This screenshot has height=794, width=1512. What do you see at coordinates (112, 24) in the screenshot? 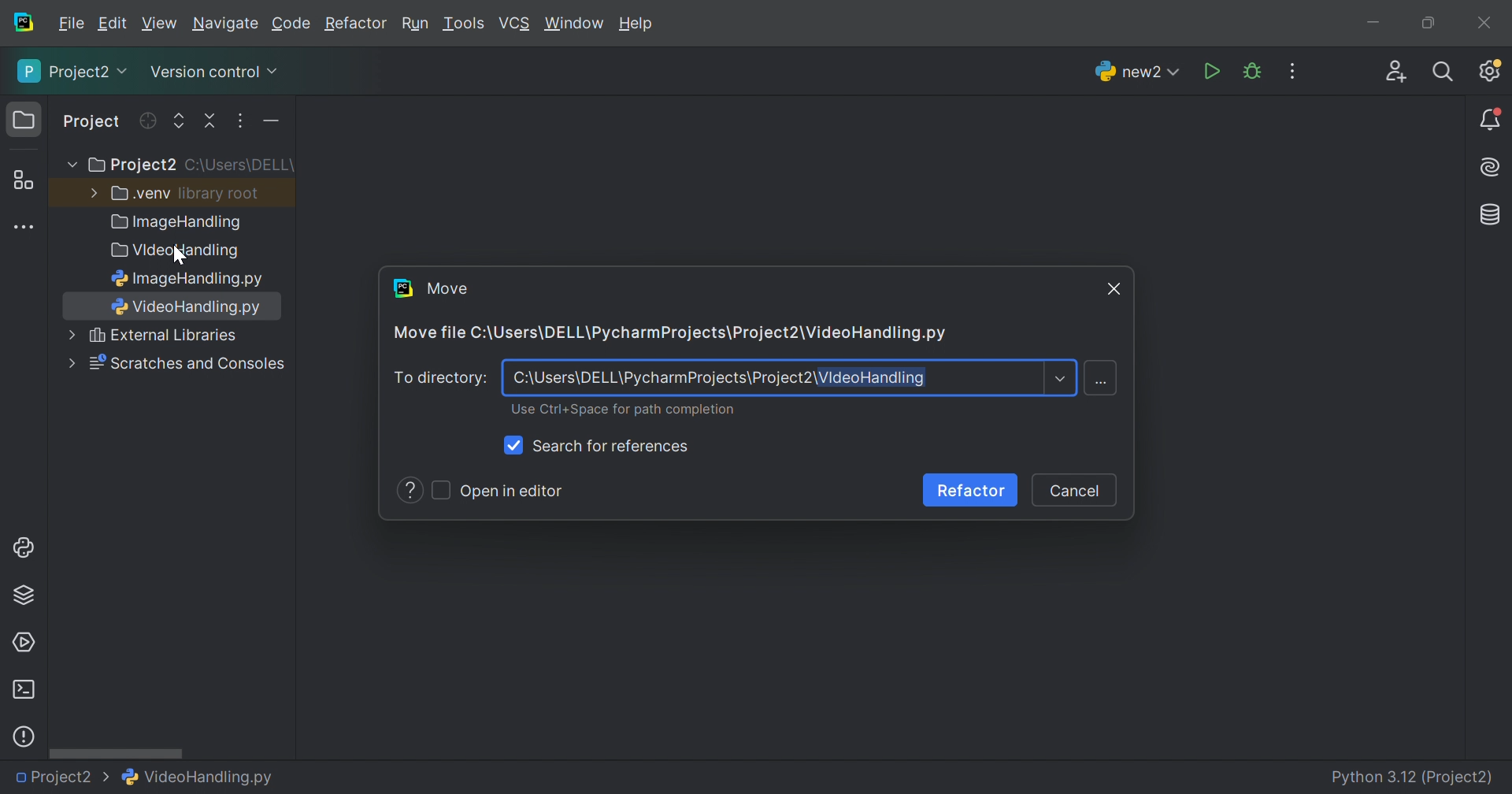
I see `Edit` at bounding box center [112, 24].